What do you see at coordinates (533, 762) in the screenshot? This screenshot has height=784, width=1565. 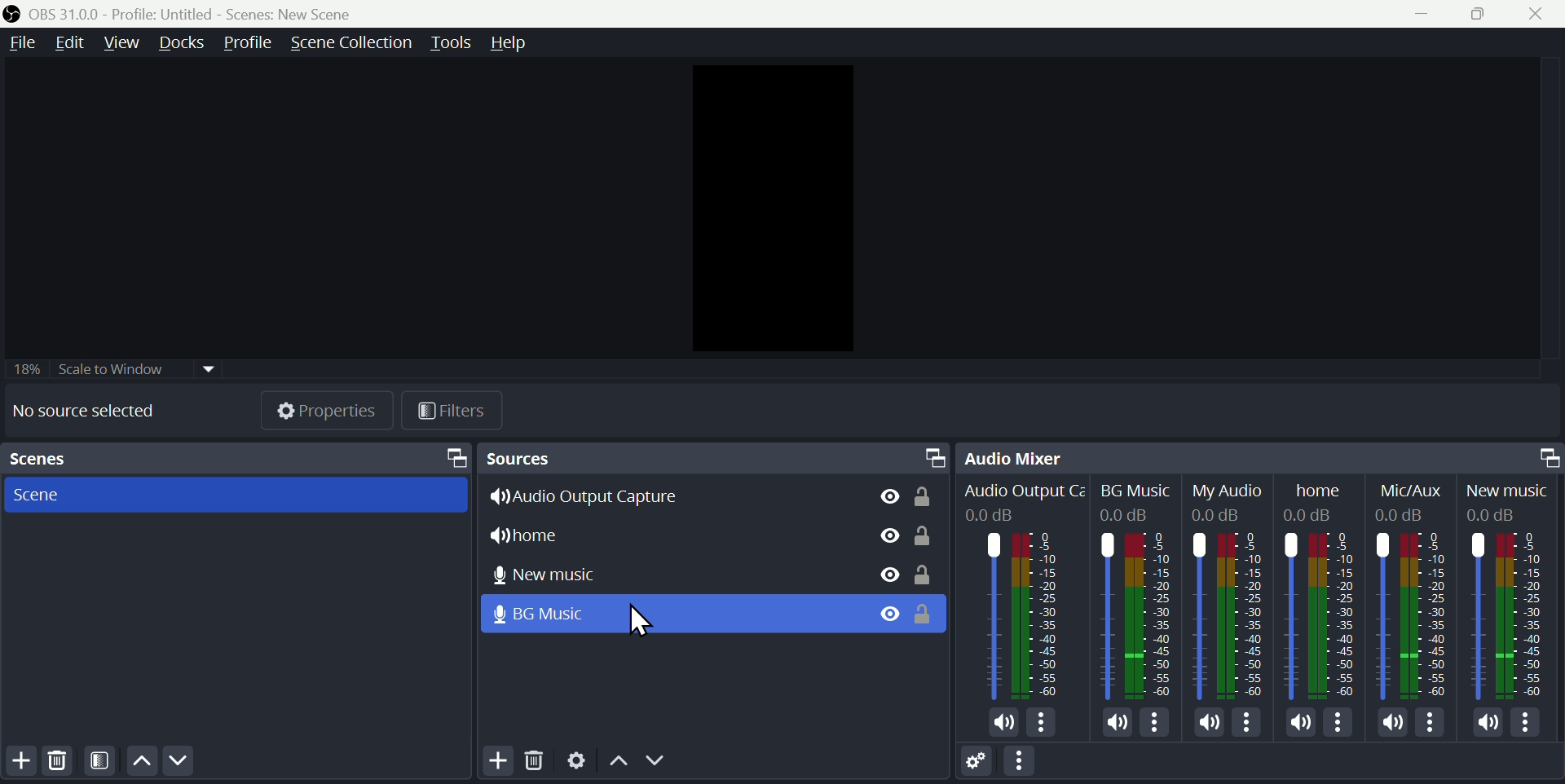 I see `Delete` at bounding box center [533, 762].